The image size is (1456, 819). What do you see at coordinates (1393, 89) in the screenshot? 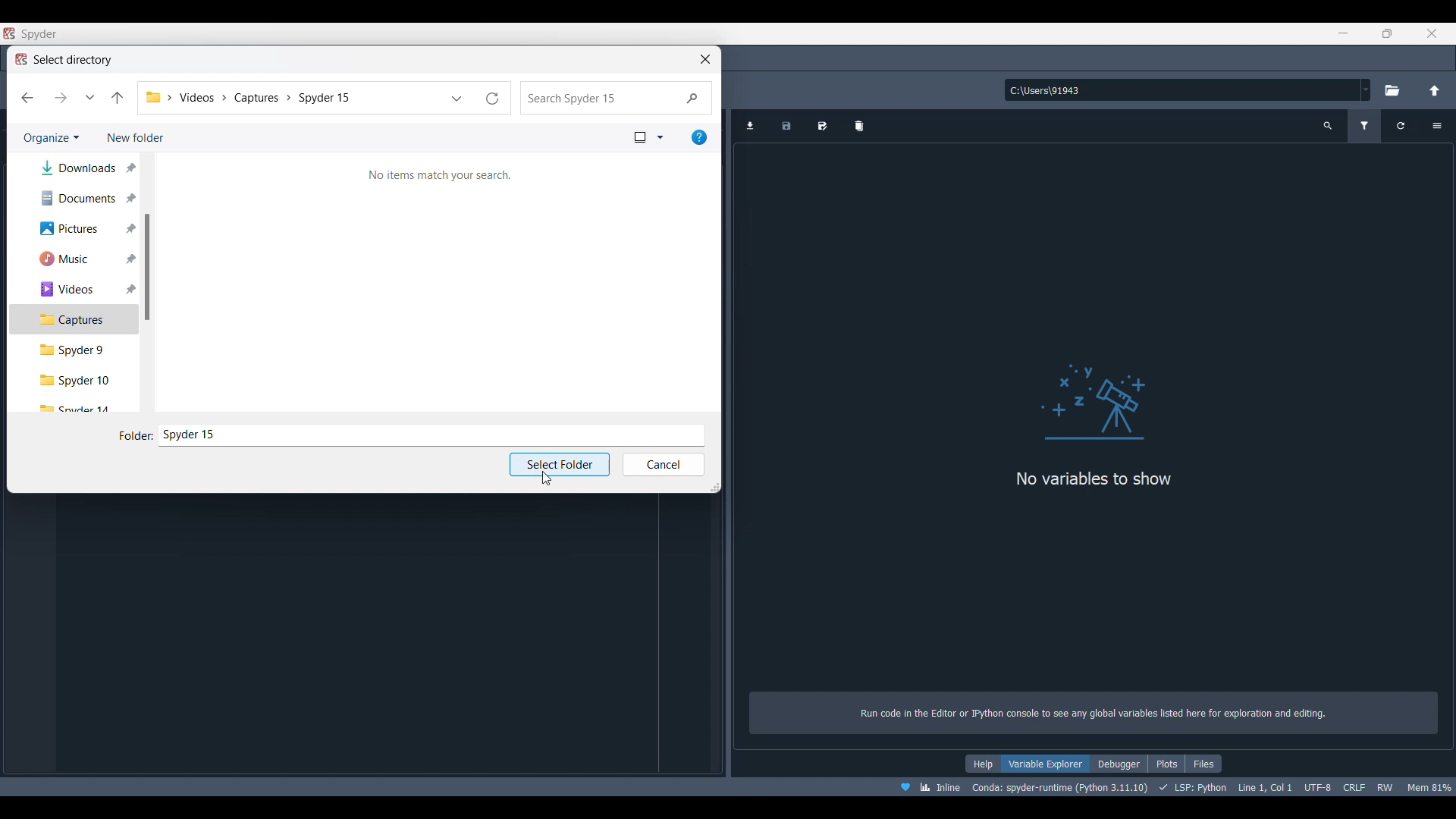
I see `Browse a working directory, highlighted by cursor` at bounding box center [1393, 89].